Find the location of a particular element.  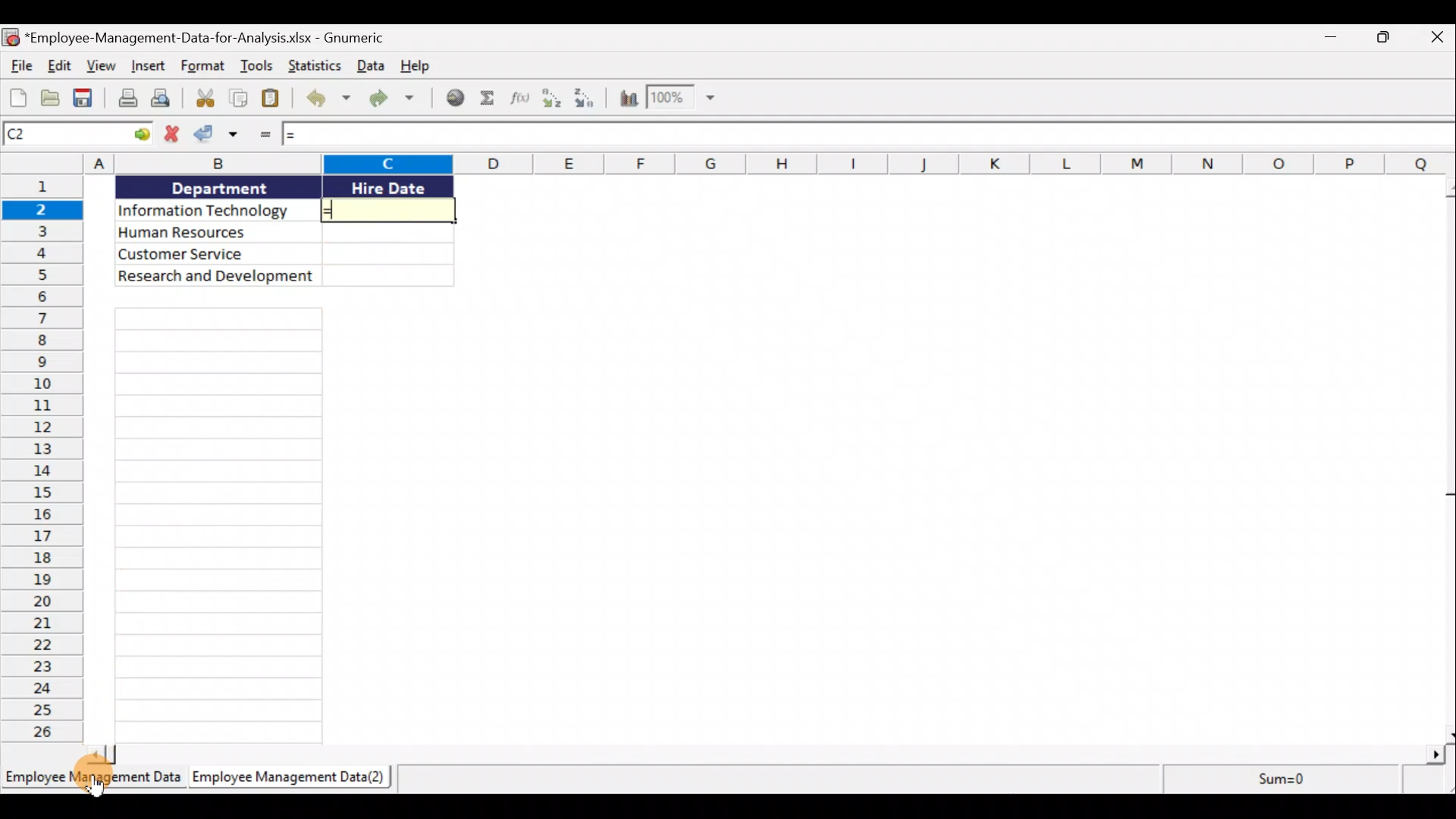

Document name is located at coordinates (194, 36).